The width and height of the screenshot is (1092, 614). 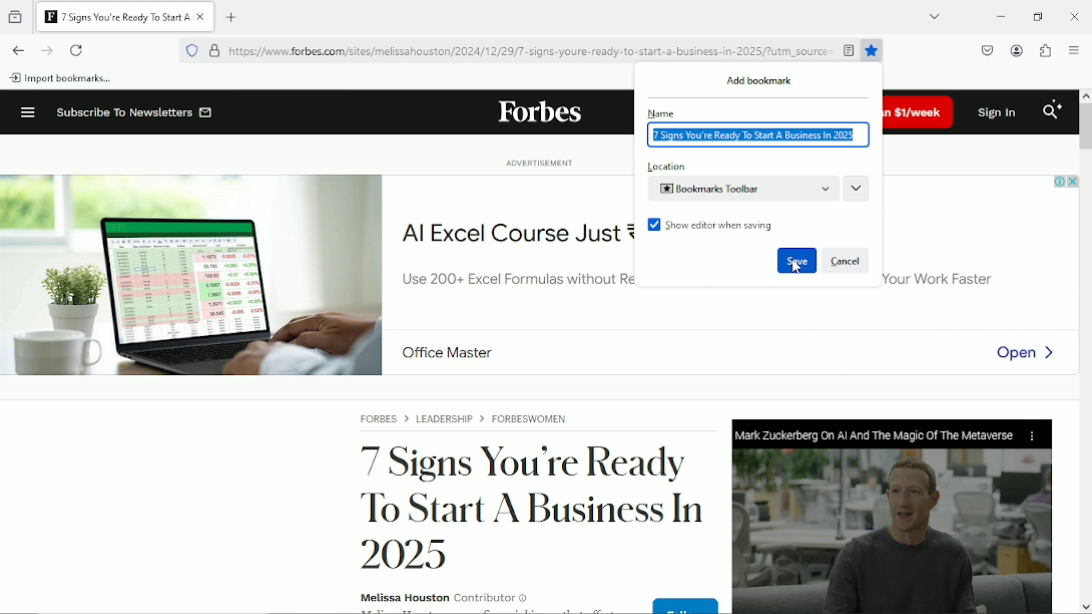 I want to click on Close, so click(x=1076, y=16).